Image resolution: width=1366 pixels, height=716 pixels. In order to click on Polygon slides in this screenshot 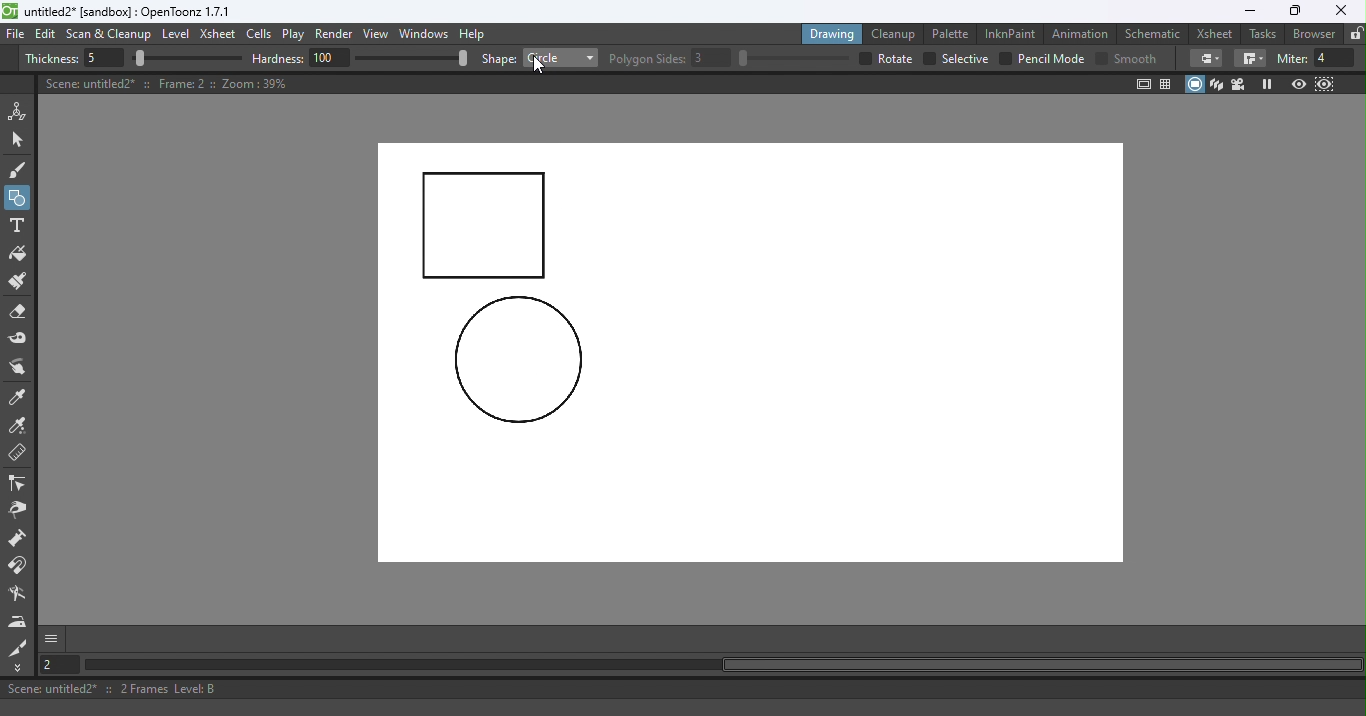, I will do `click(647, 59)`.